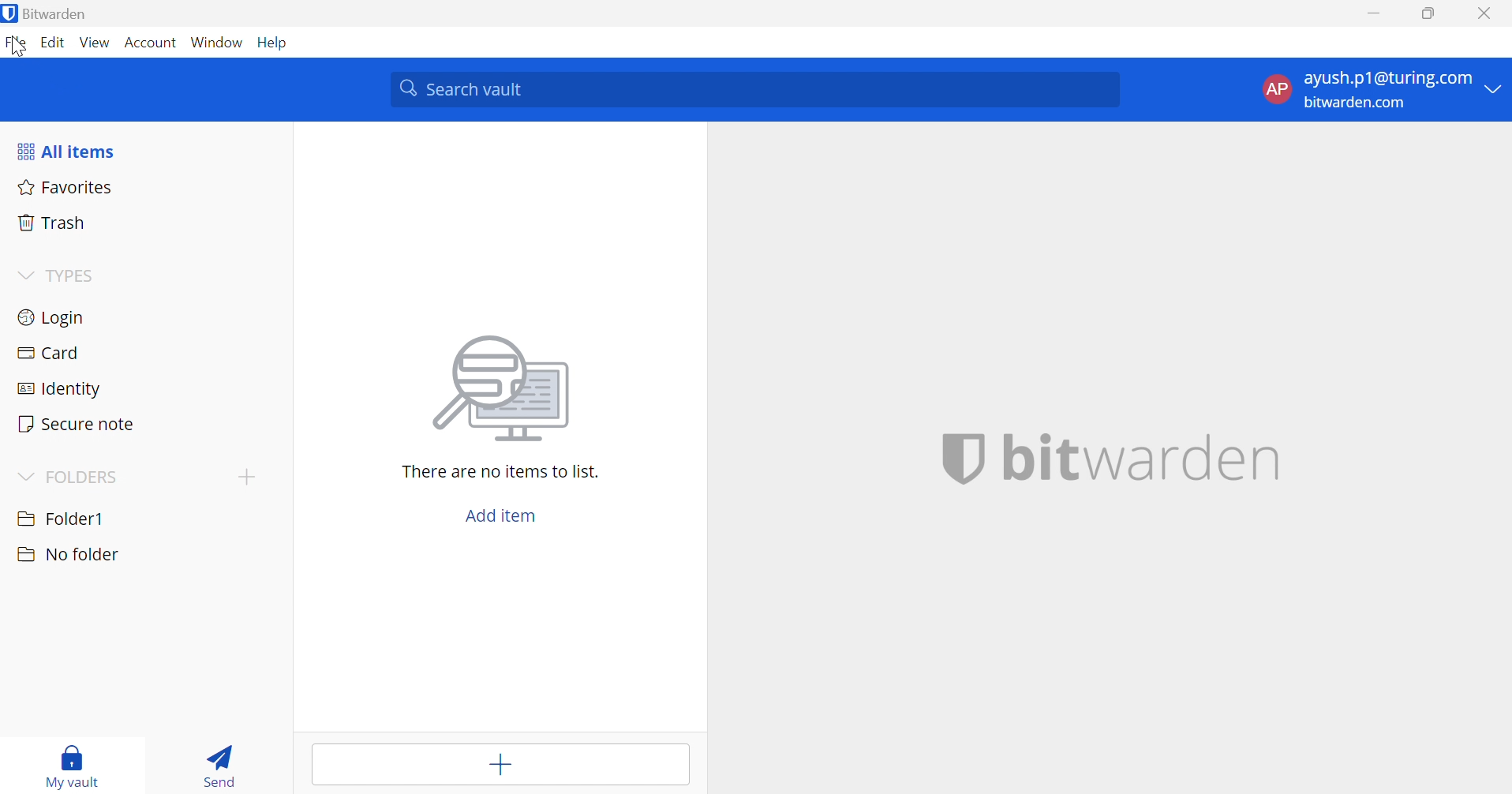  Describe the element at coordinates (500, 516) in the screenshot. I see `Add item` at that location.